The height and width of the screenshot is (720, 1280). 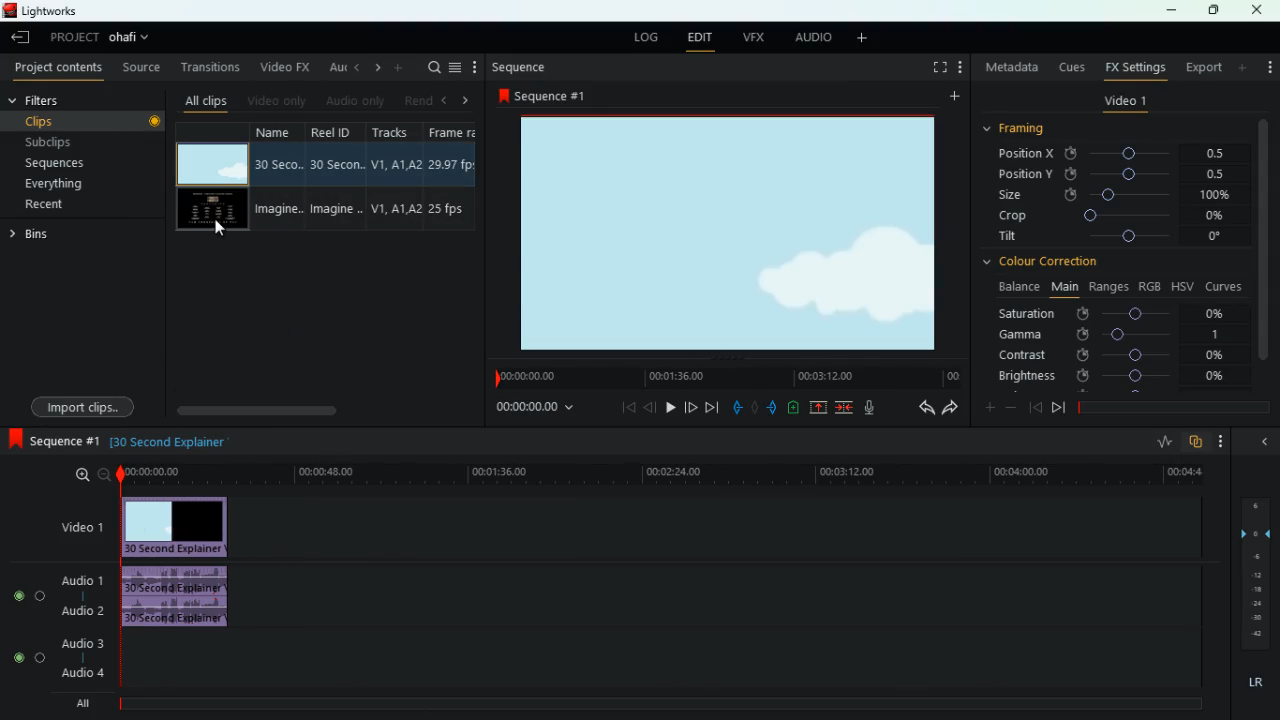 What do you see at coordinates (1134, 66) in the screenshot?
I see `fx settings` at bounding box center [1134, 66].